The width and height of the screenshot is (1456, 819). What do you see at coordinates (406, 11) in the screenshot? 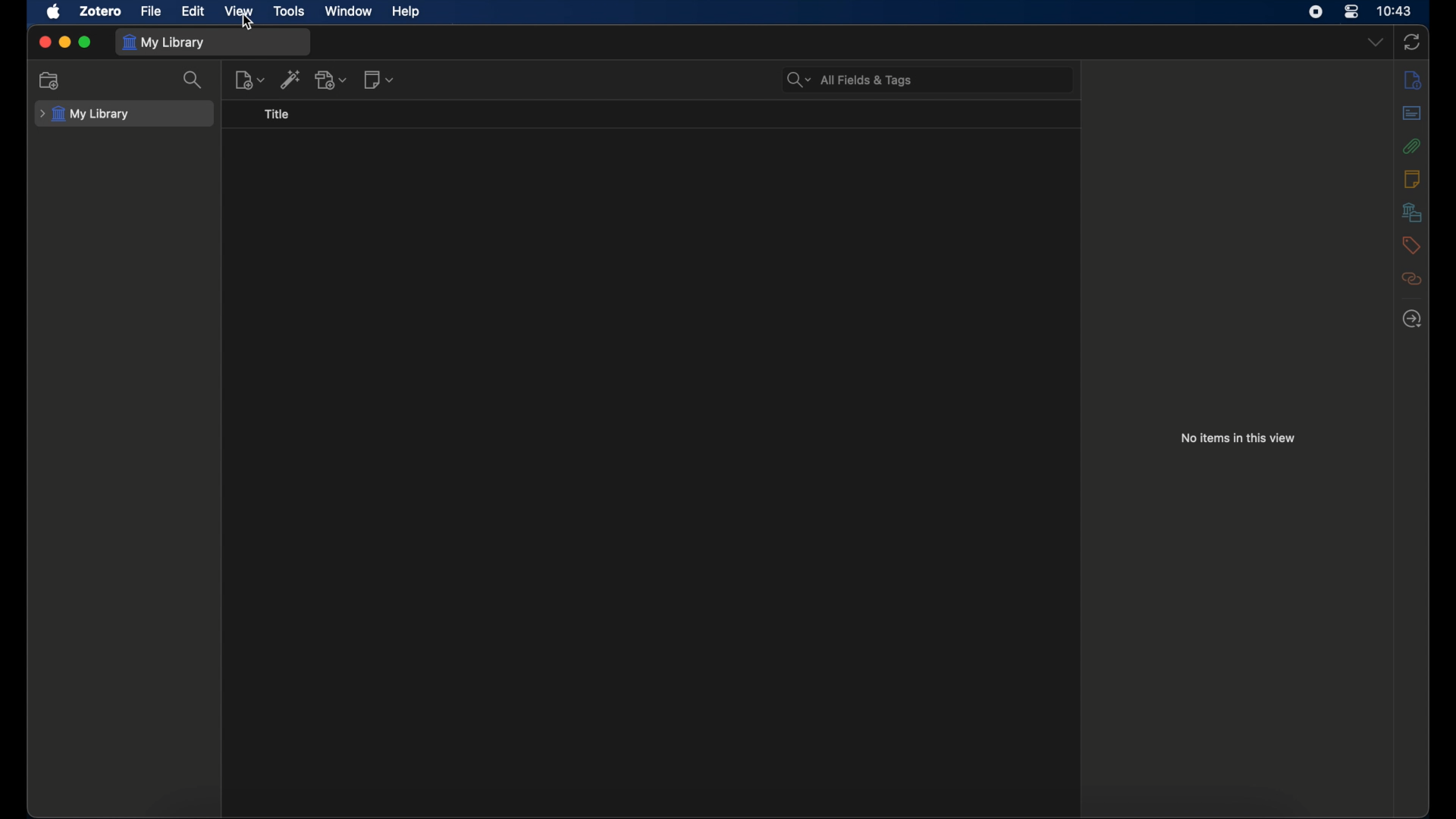
I see `help` at bounding box center [406, 11].